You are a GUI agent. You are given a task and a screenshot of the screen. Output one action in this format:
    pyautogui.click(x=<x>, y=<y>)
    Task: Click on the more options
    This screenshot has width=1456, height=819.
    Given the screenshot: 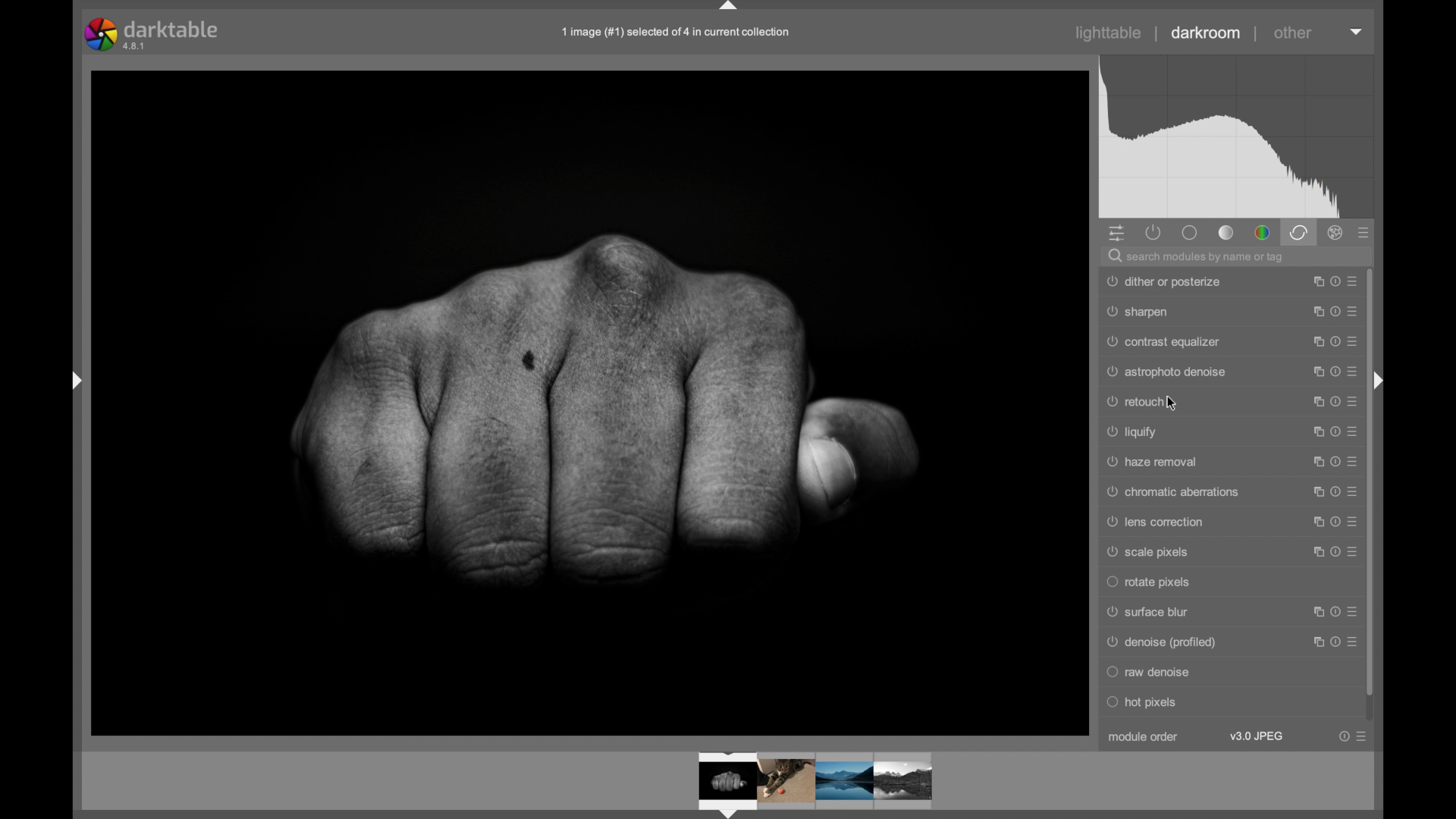 What is the action you would take?
    pyautogui.click(x=1352, y=281)
    